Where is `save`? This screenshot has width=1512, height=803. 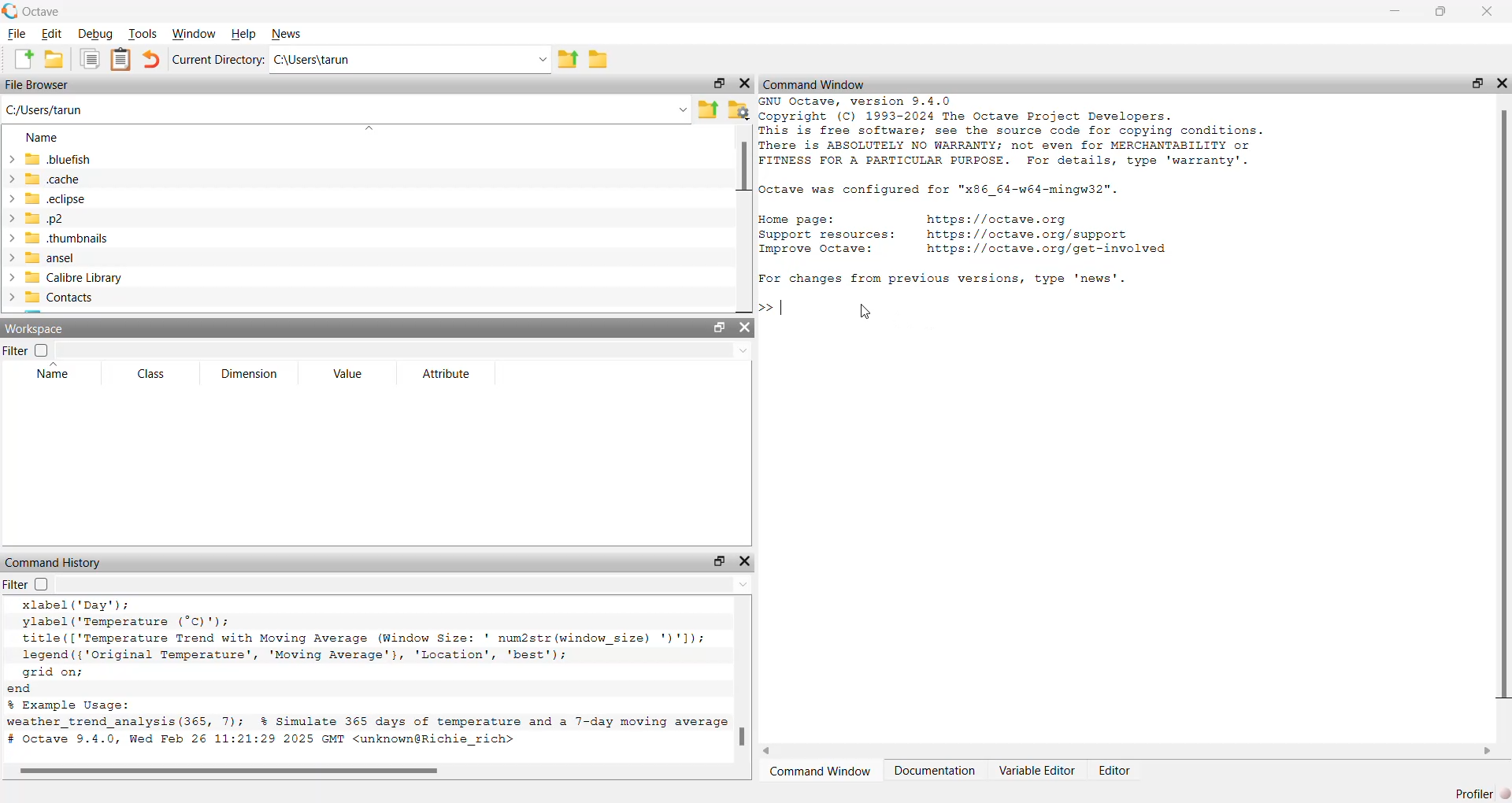
save is located at coordinates (597, 60).